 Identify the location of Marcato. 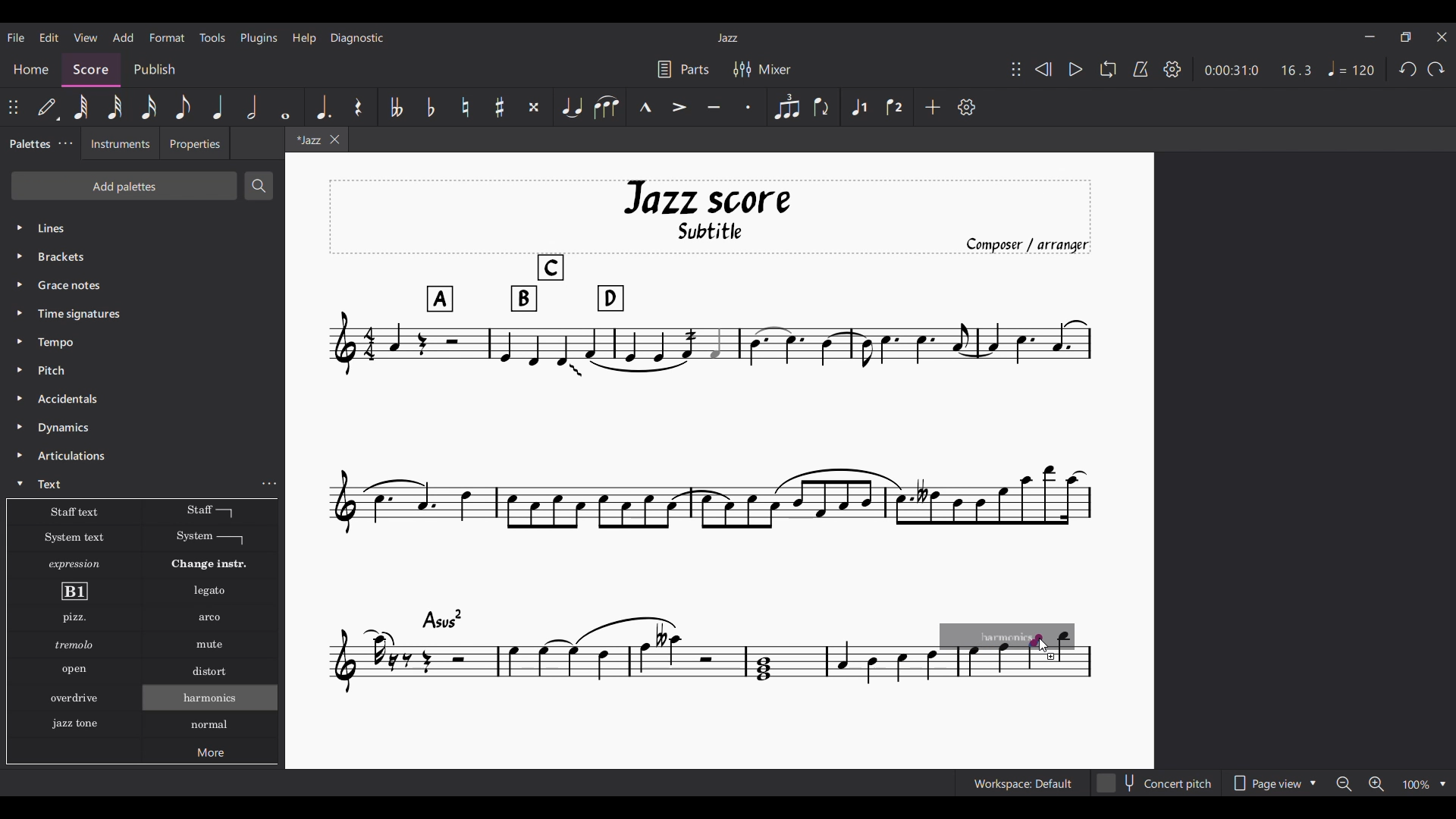
(646, 106).